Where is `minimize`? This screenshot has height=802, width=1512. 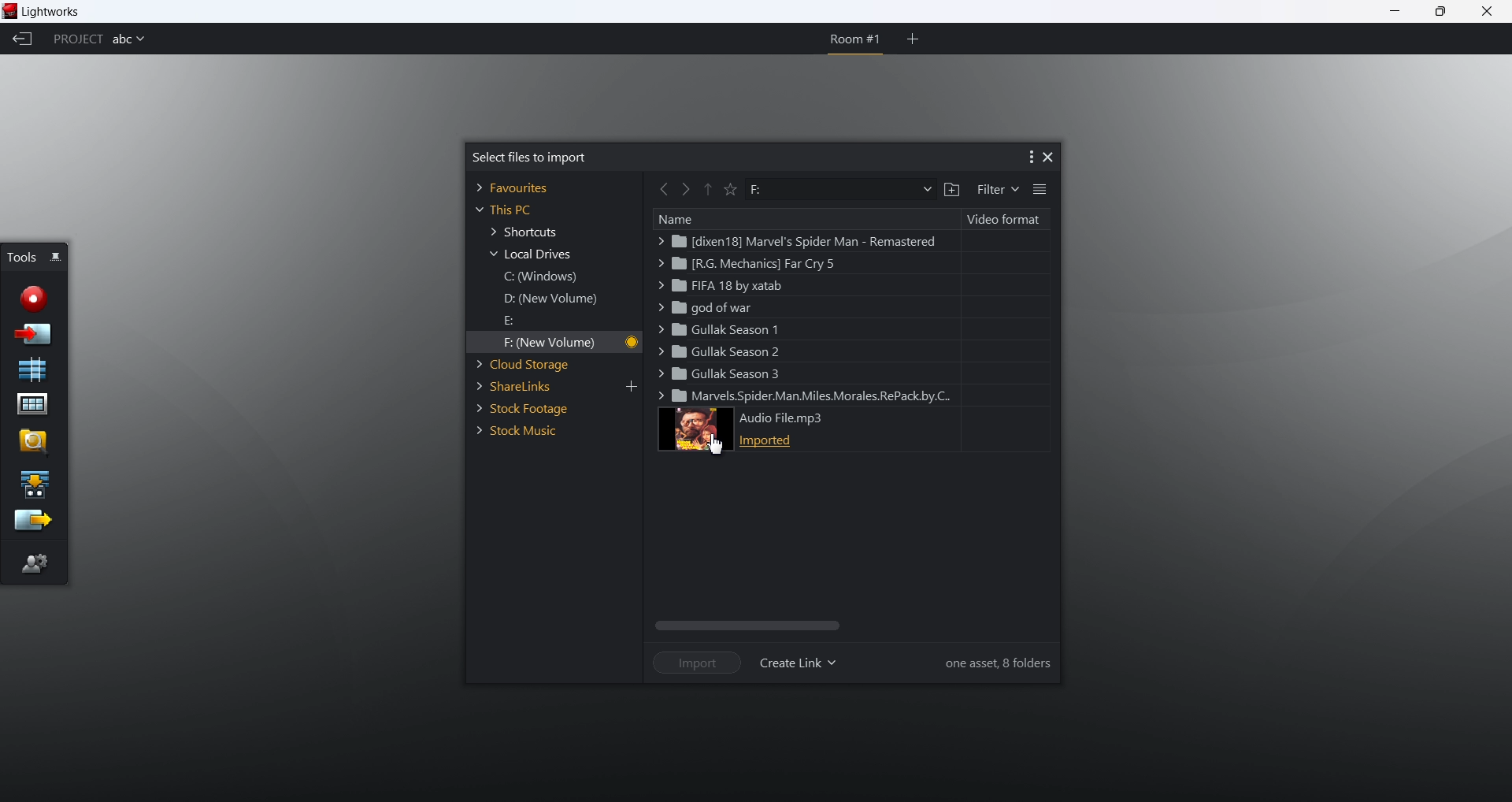
minimize is located at coordinates (1395, 13).